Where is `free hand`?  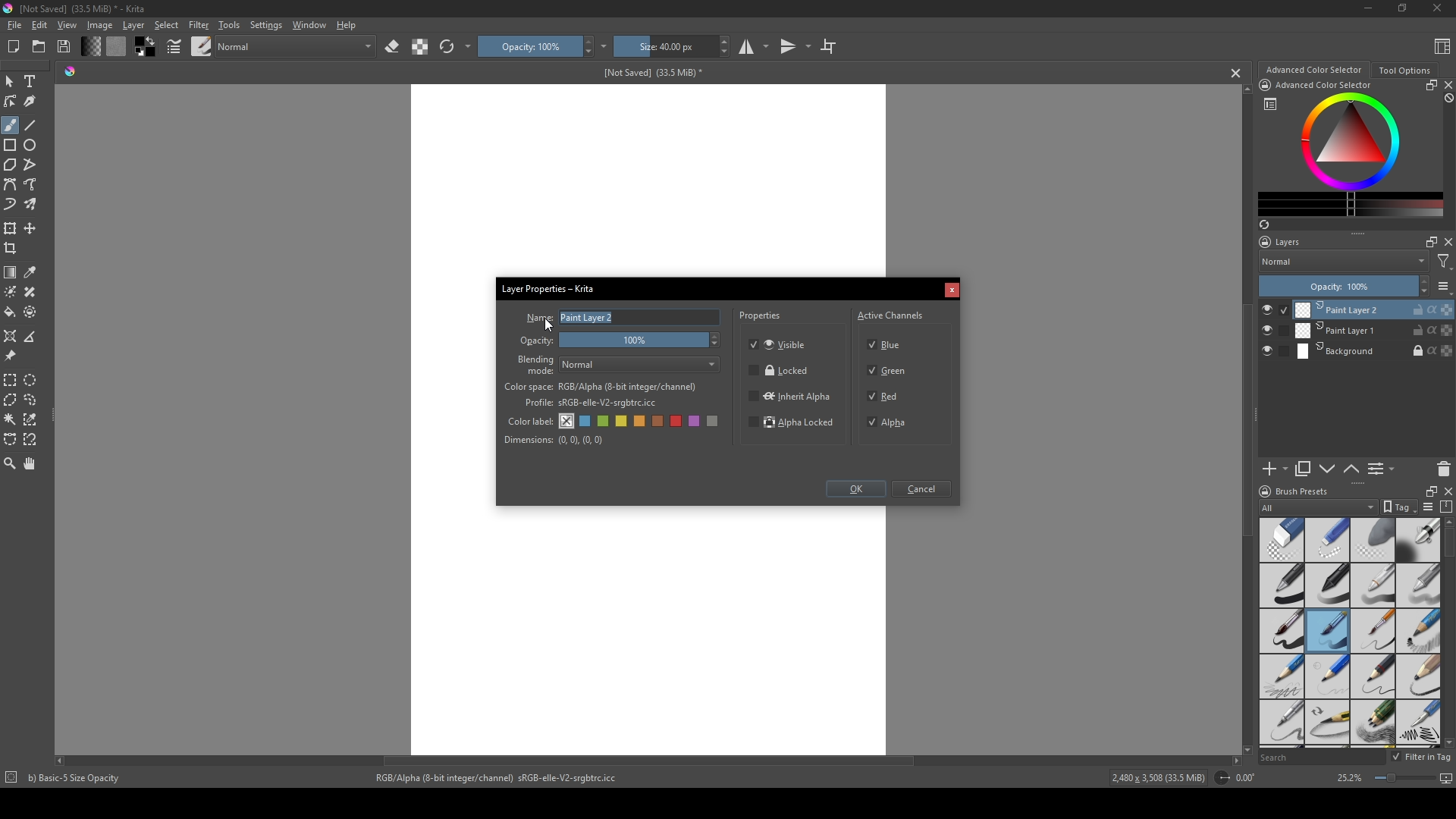
free hand is located at coordinates (32, 185).